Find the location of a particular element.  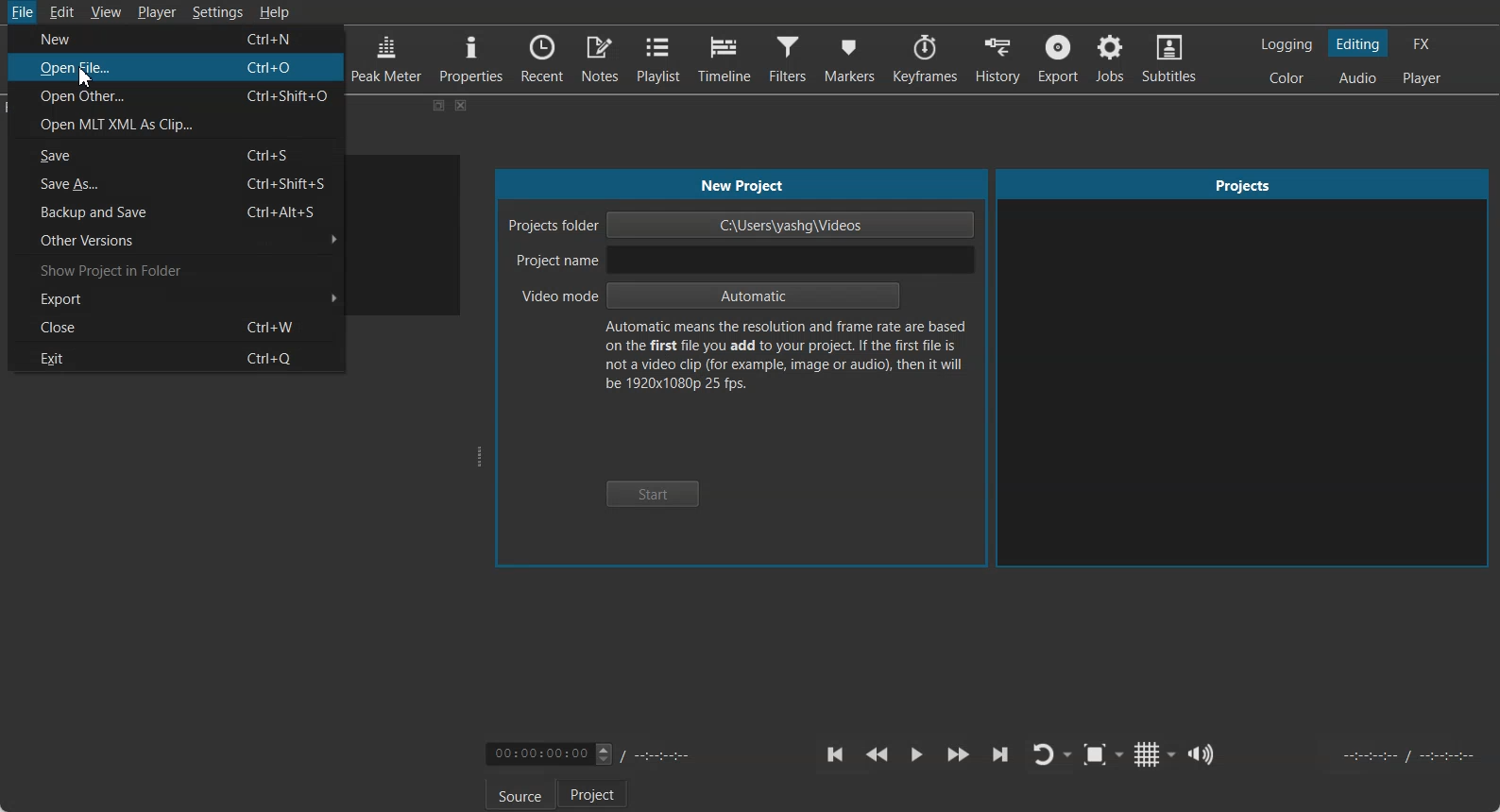

Project Name is located at coordinates (551, 262).